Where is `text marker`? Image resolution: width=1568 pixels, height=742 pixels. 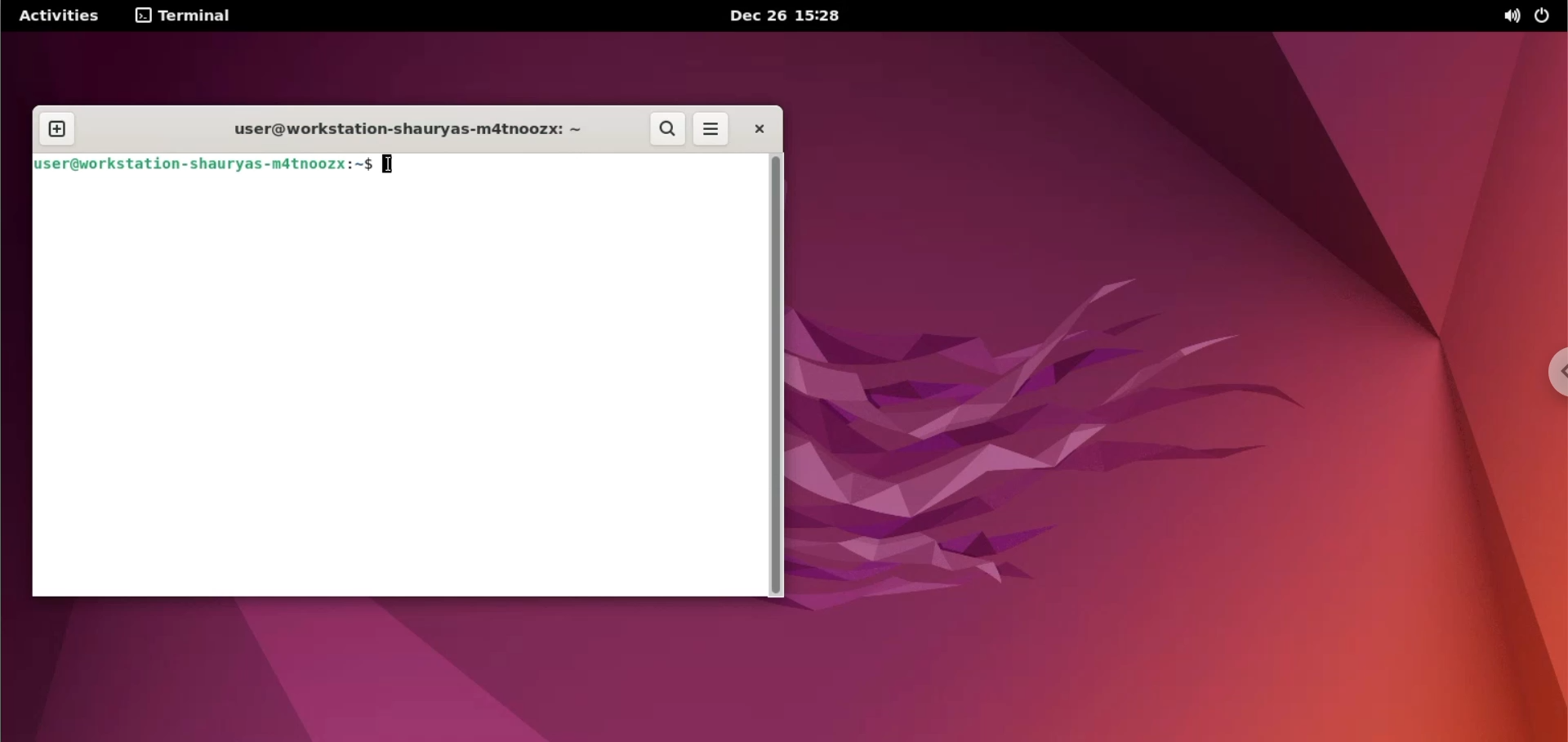 text marker is located at coordinates (390, 164).